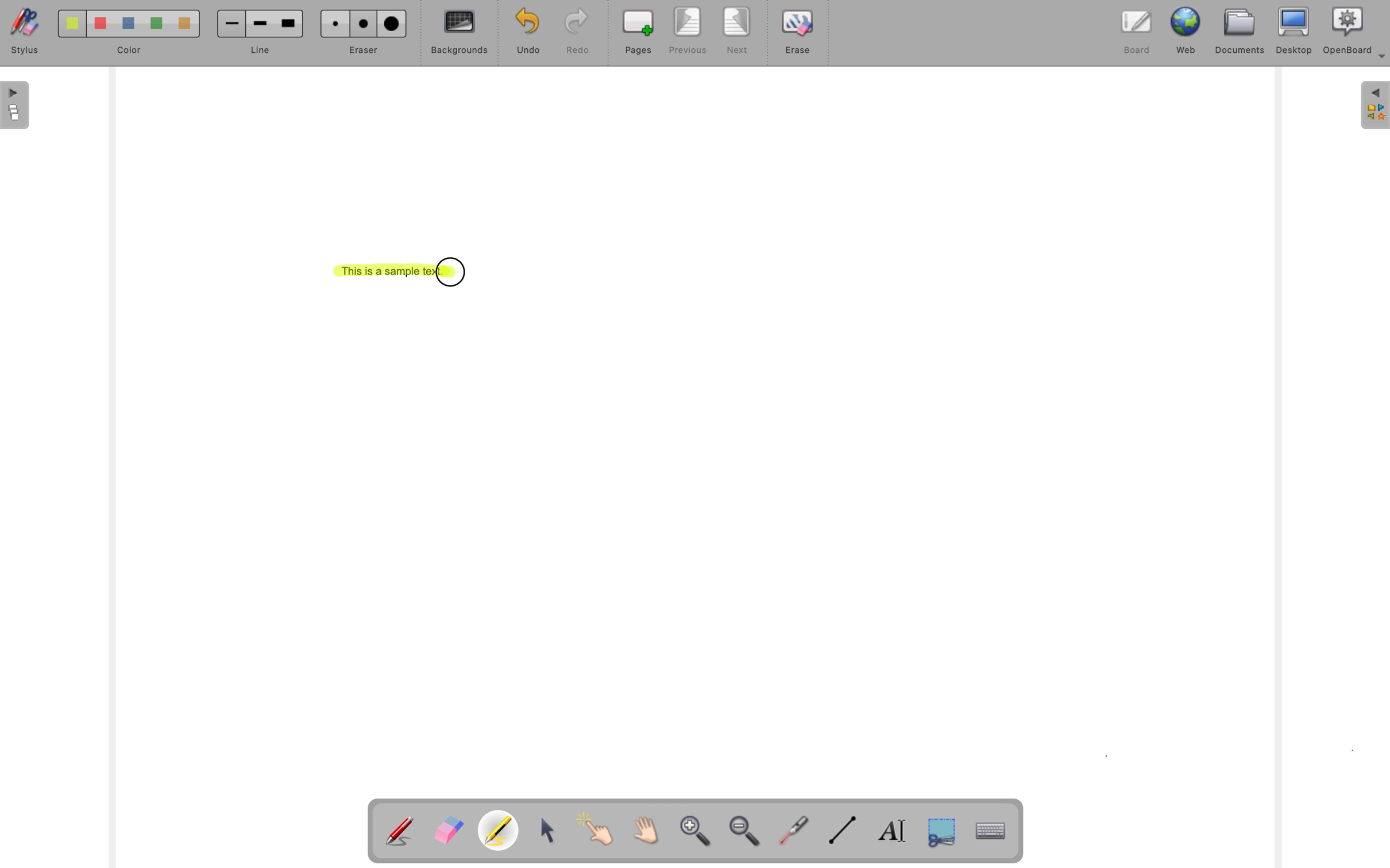  What do you see at coordinates (941, 831) in the screenshot?
I see `capture part of the screen` at bounding box center [941, 831].